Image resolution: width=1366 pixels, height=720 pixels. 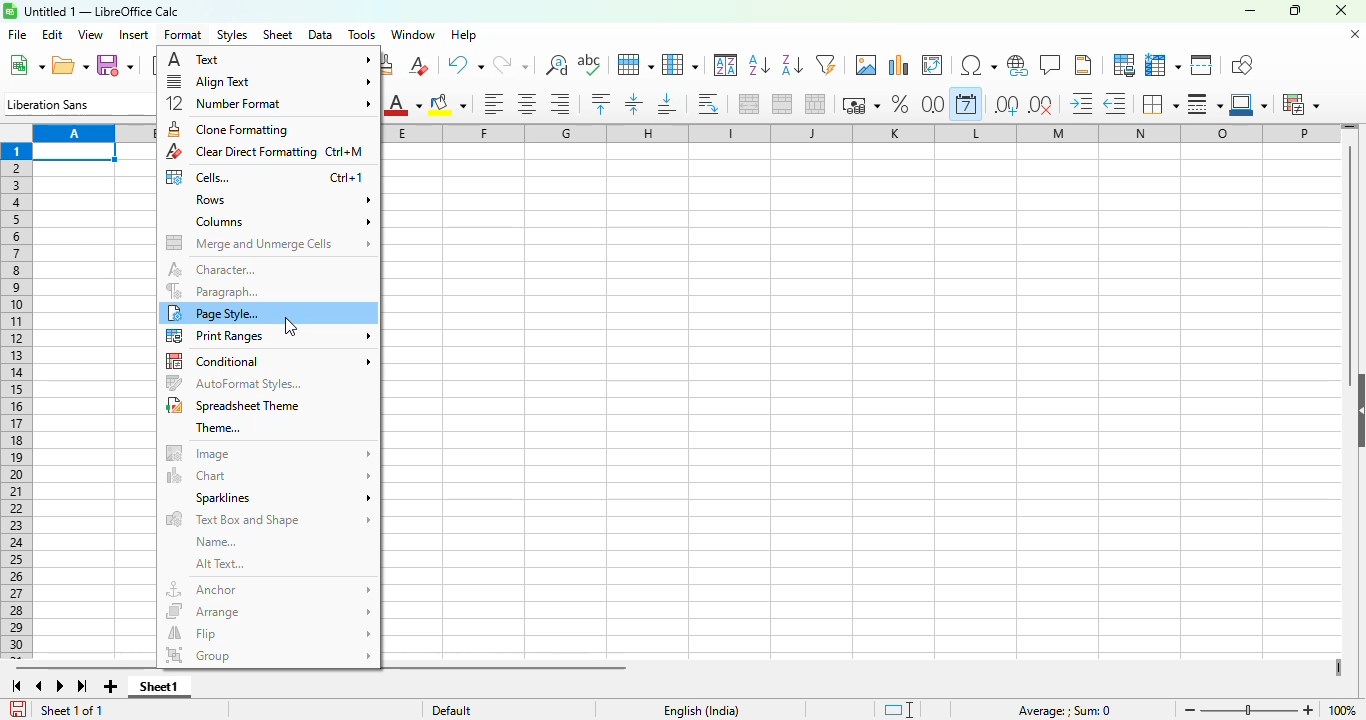 I want to click on insert or edit pivot table, so click(x=934, y=65).